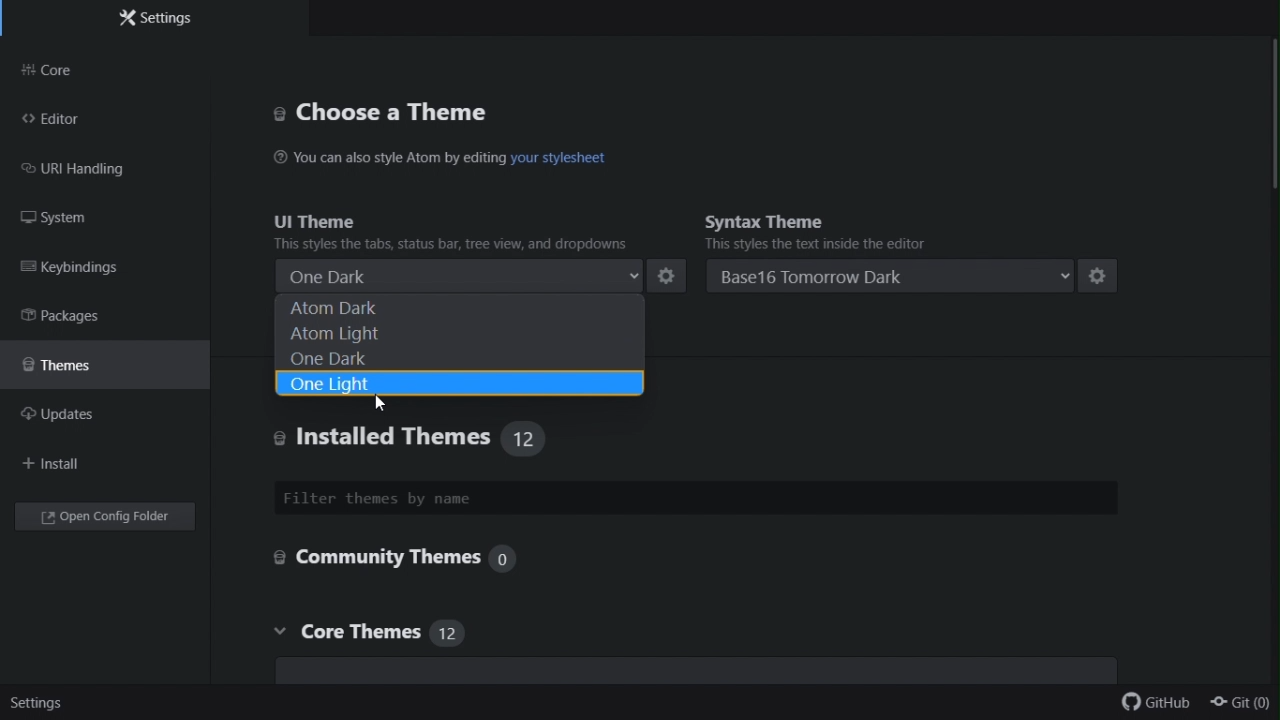 This screenshot has width=1280, height=720. What do you see at coordinates (404, 636) in the screenshot?
I see `Core themes` at bounding box center [404, 636].